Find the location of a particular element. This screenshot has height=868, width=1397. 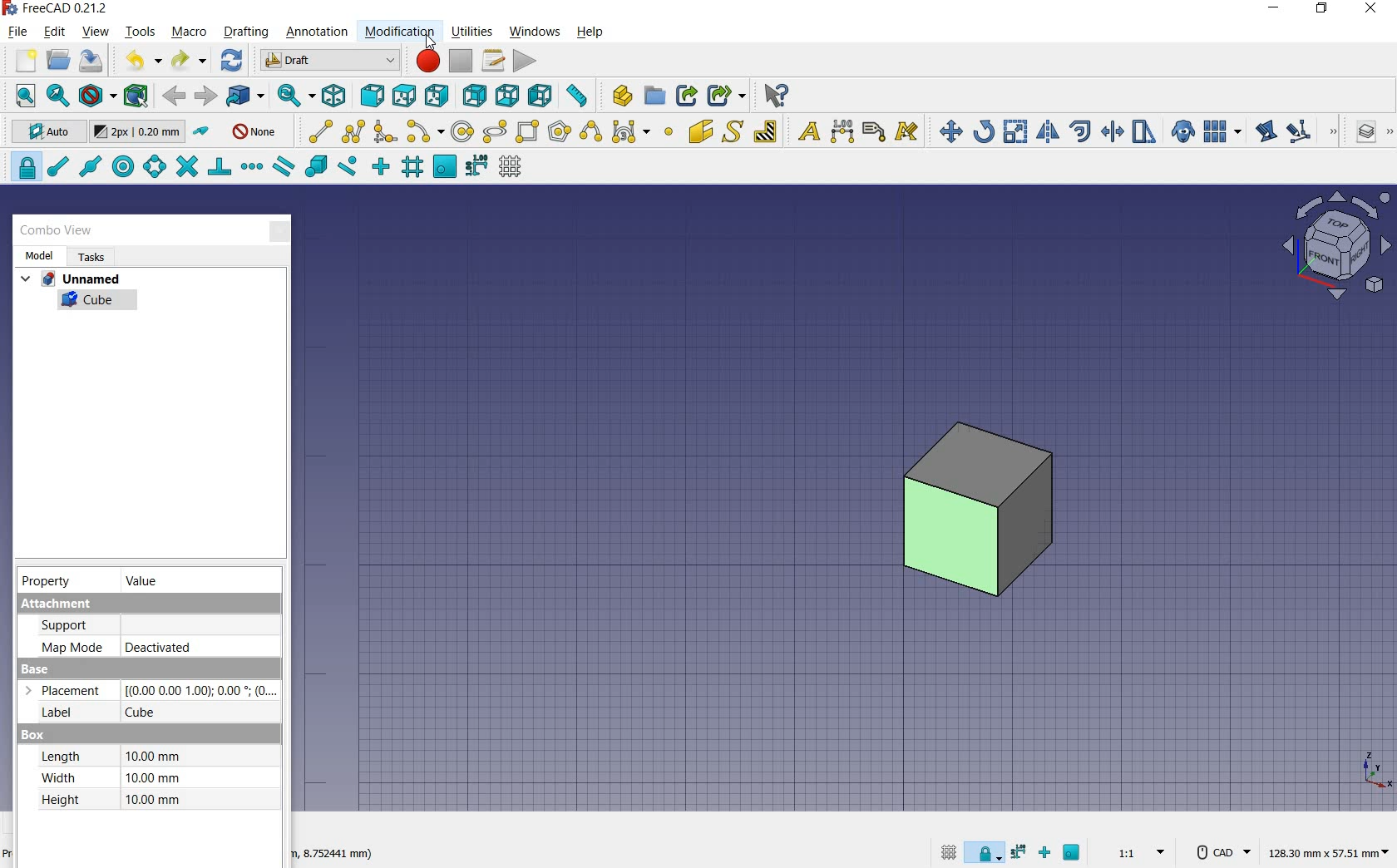

 is located at coordinates (199, 690).